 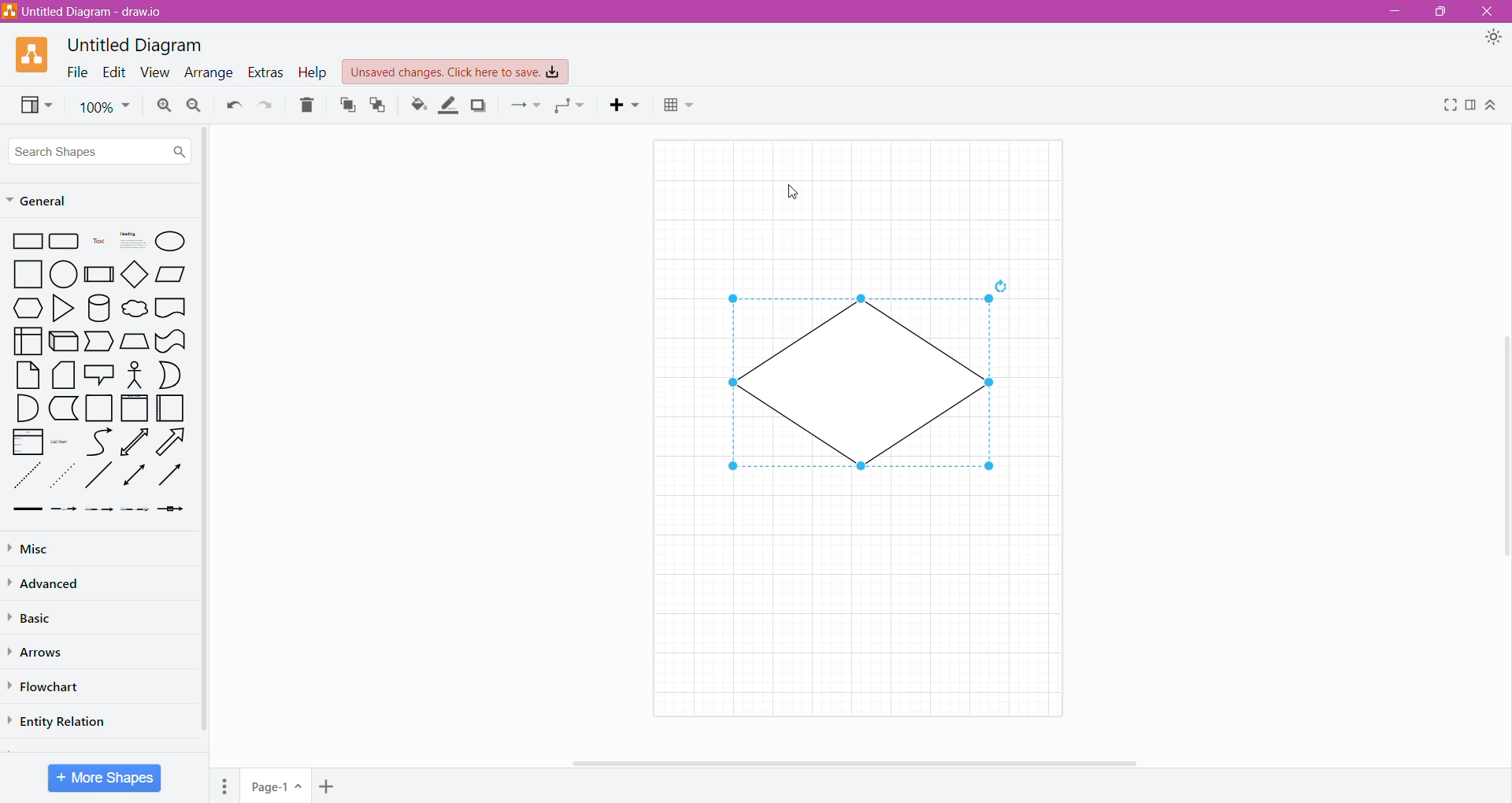 What do you see at coordinates (99, 309) in the screenshot?
I see `Cylinder` at bounding box center [99, 309].